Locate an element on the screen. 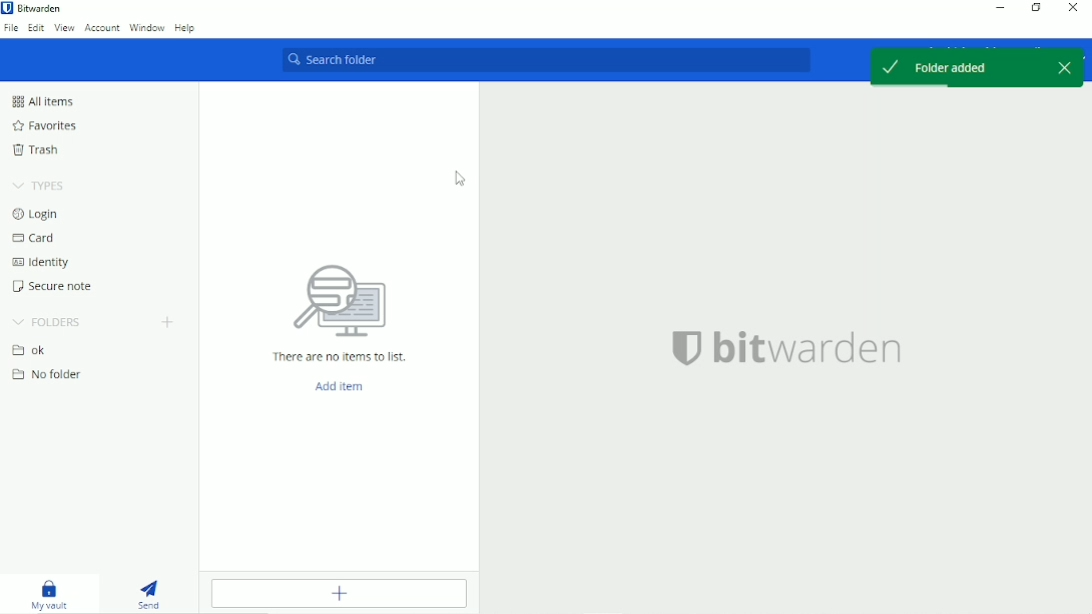 This screenshot has height=614, width=1092. Identity is located at coordinates (46, 264).